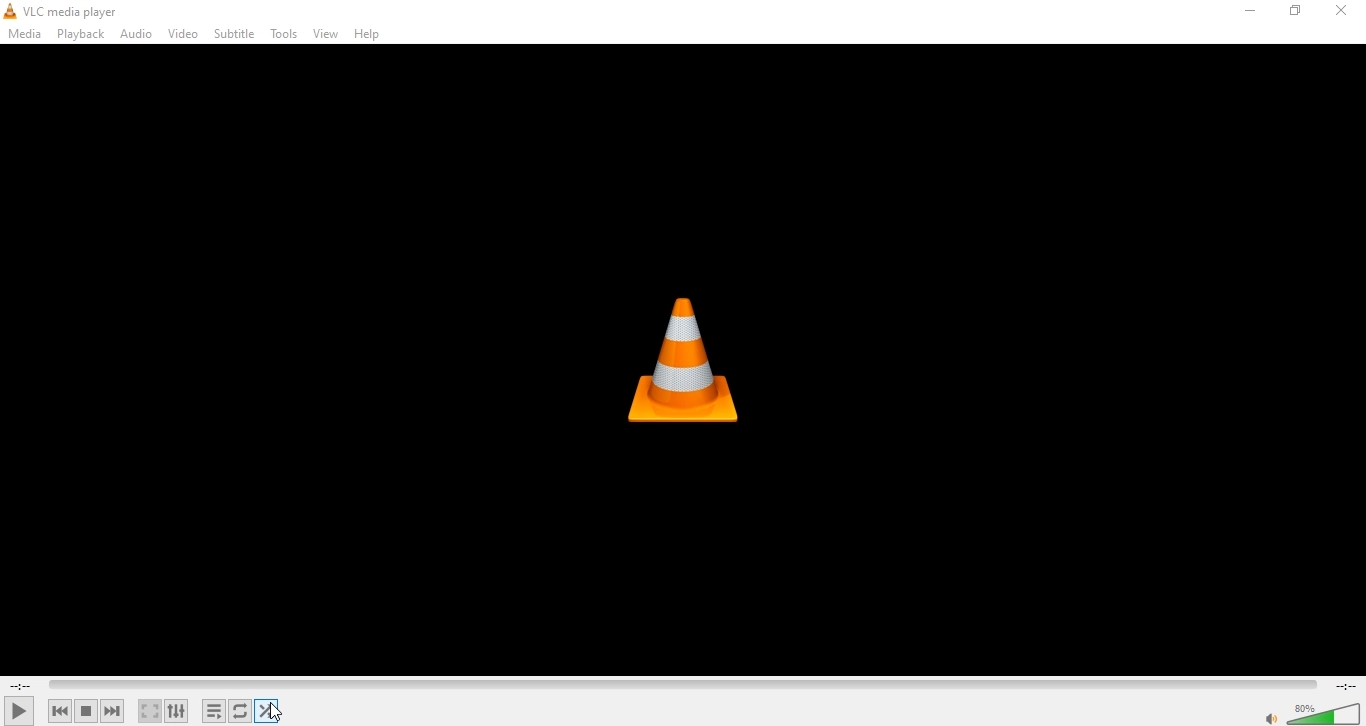 Image resolution: width=1366 pixels, height=726 pixels. I want to click on elapsed time, so click(20, 685).